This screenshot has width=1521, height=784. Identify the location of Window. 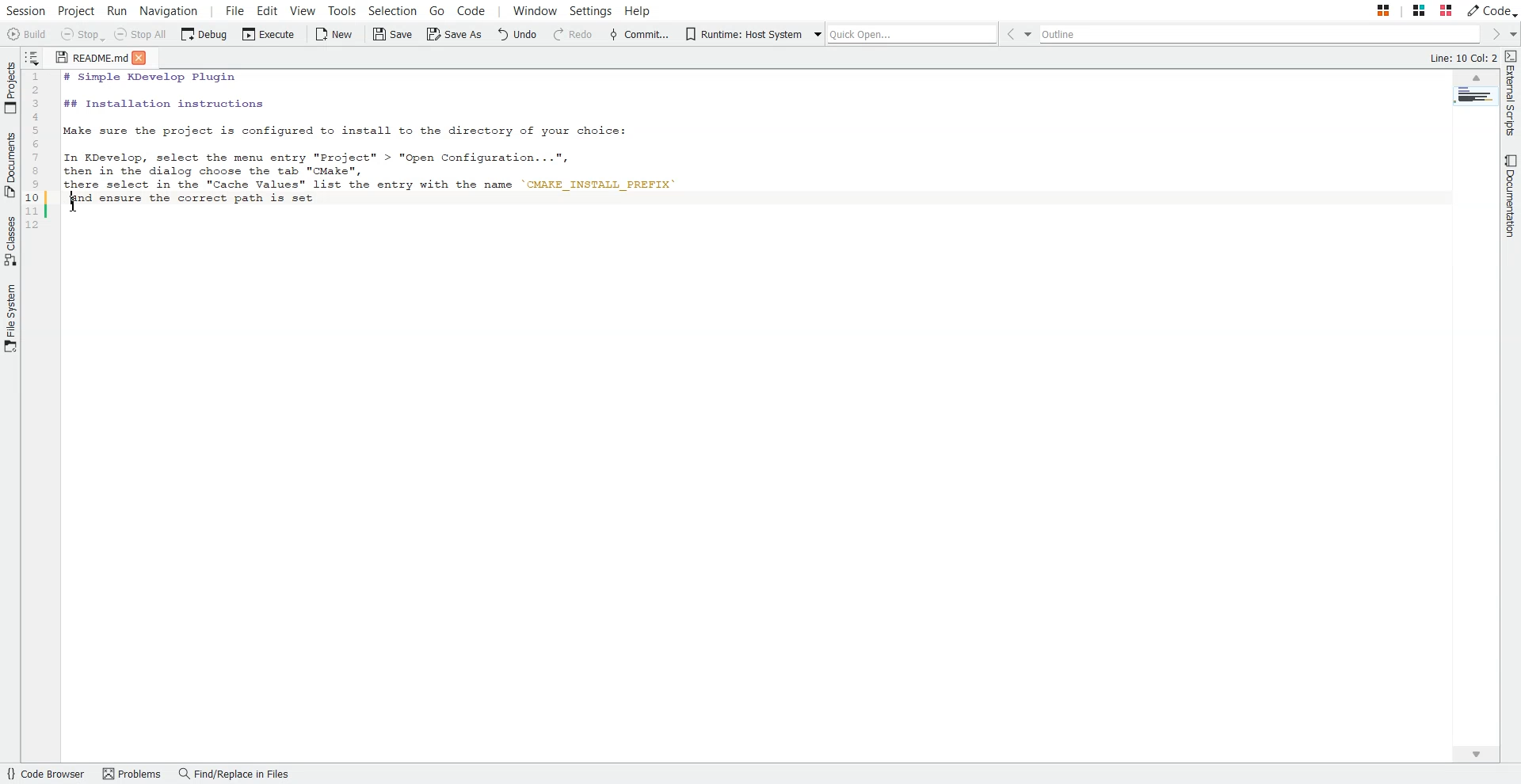
(535, 10).